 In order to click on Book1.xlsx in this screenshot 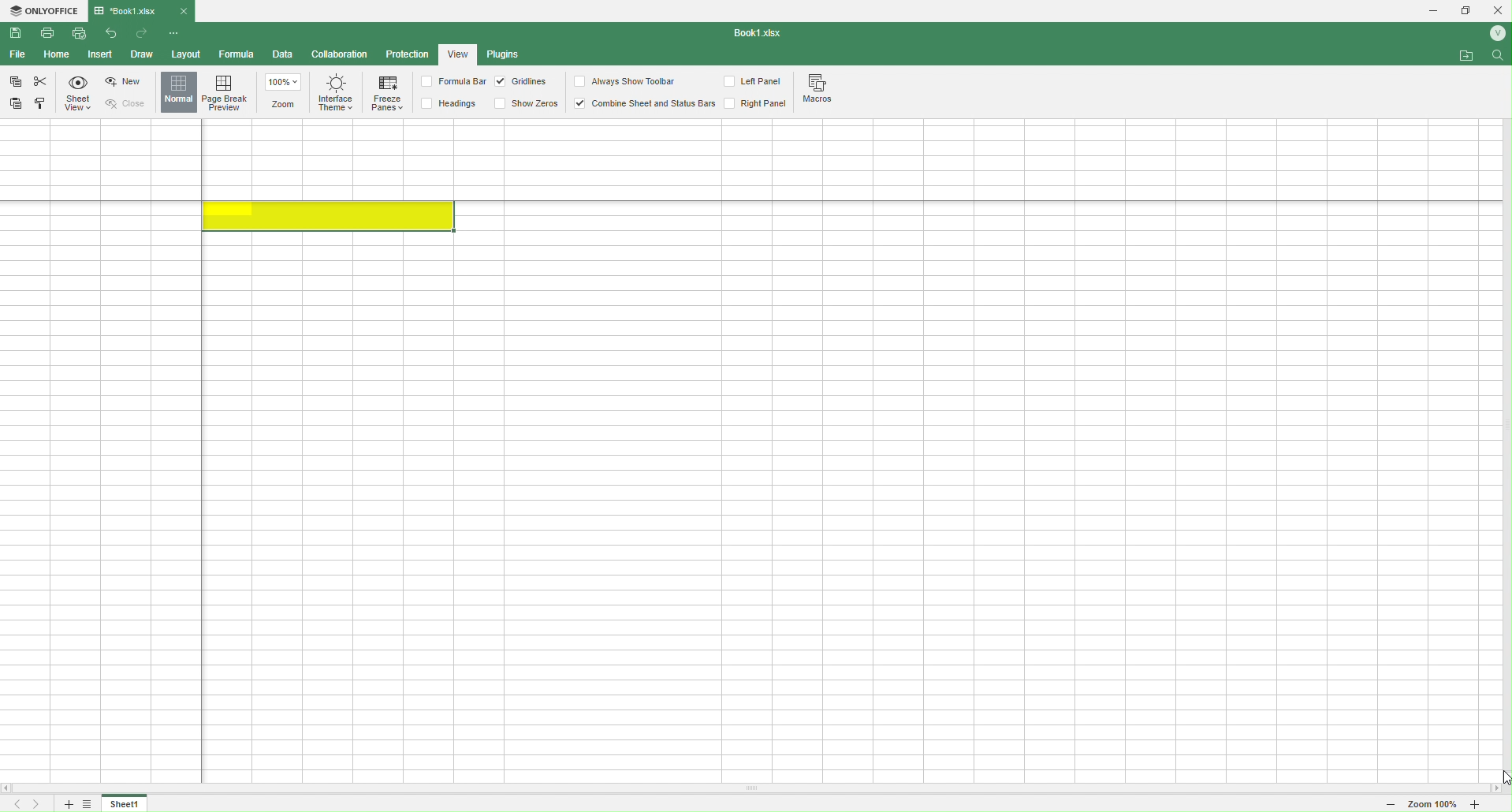, I will do `click(132, 10)`.